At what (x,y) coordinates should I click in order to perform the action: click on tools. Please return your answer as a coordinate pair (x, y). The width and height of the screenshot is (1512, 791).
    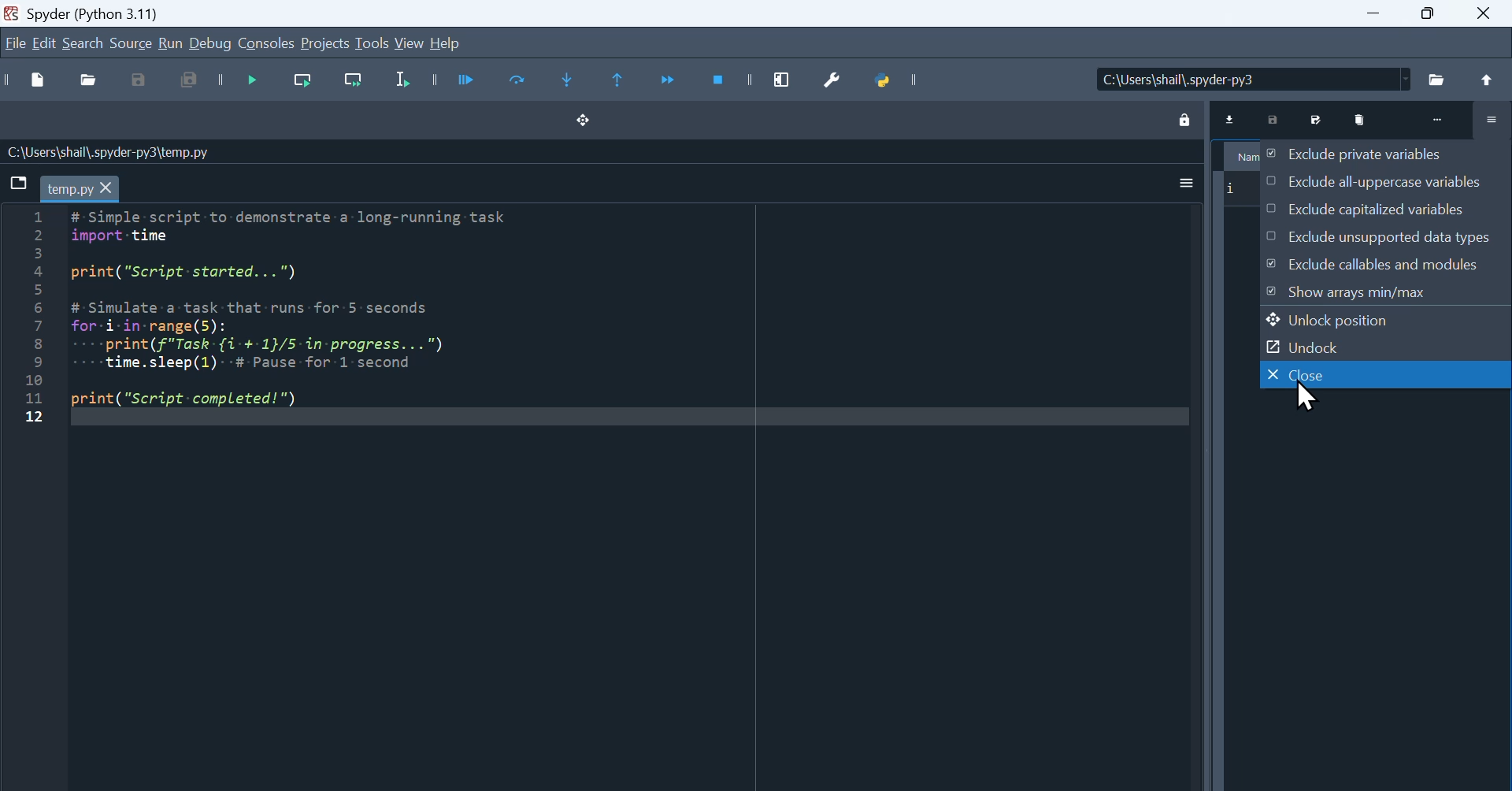
    Looking at the image, I should click on (372, 42).